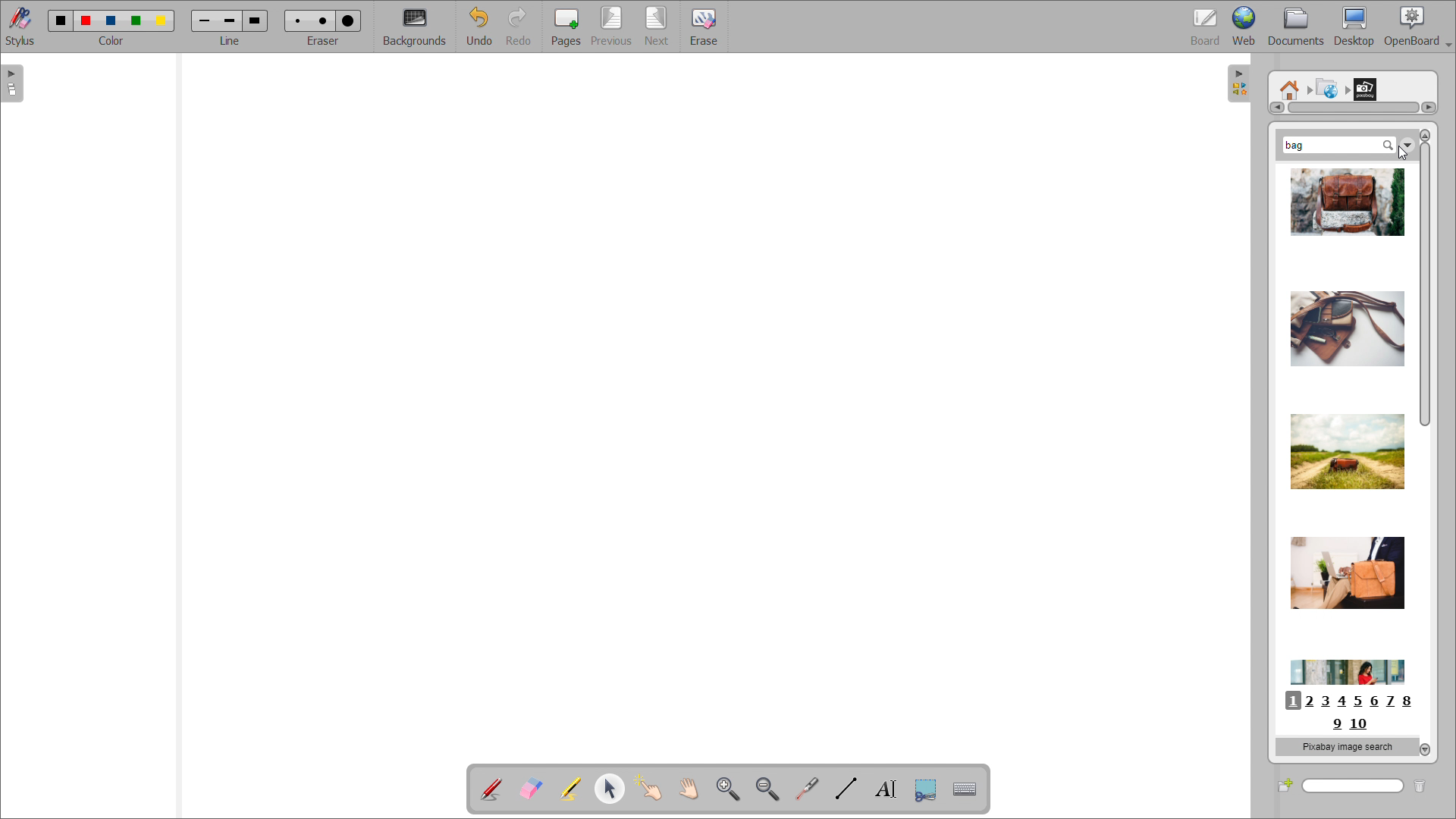  I want to click on Search result 3, so click(1347, 443).